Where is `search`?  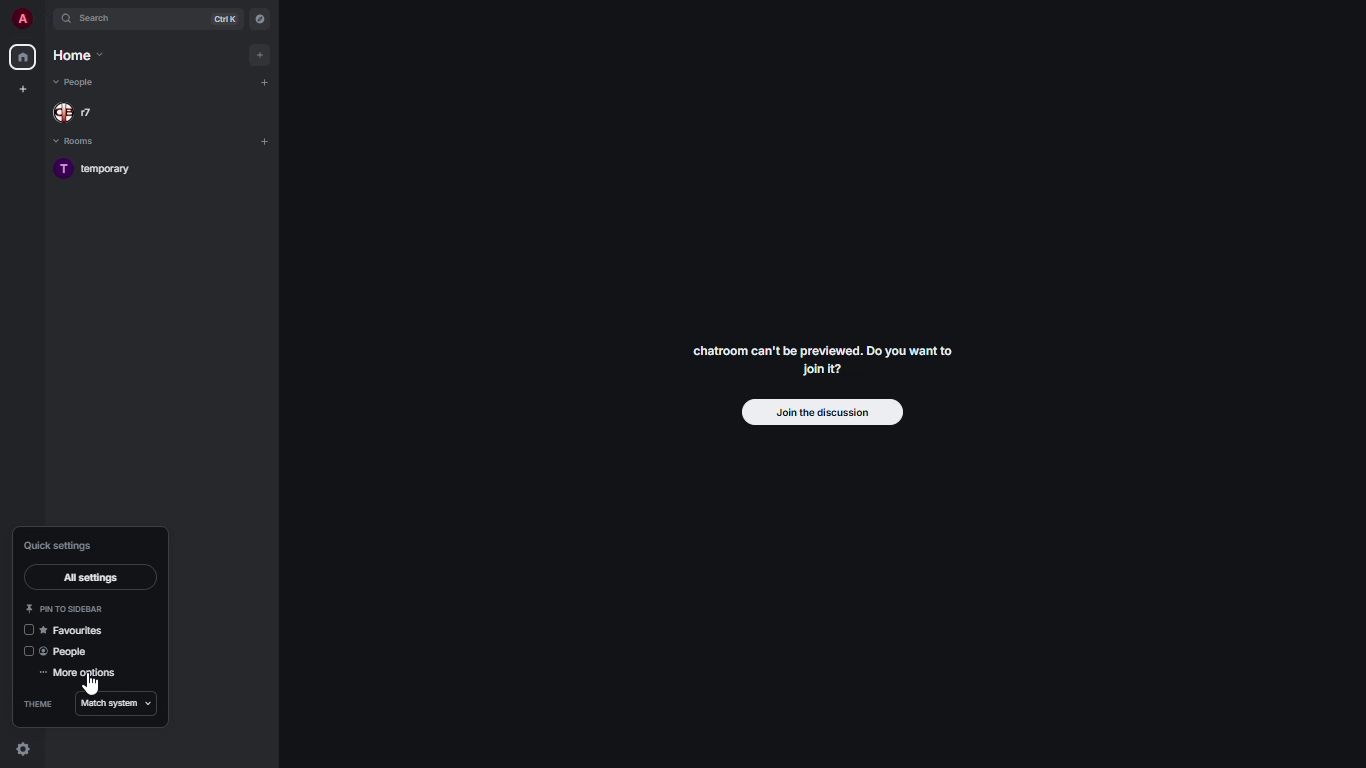 search is located at coordinates (98, 19).